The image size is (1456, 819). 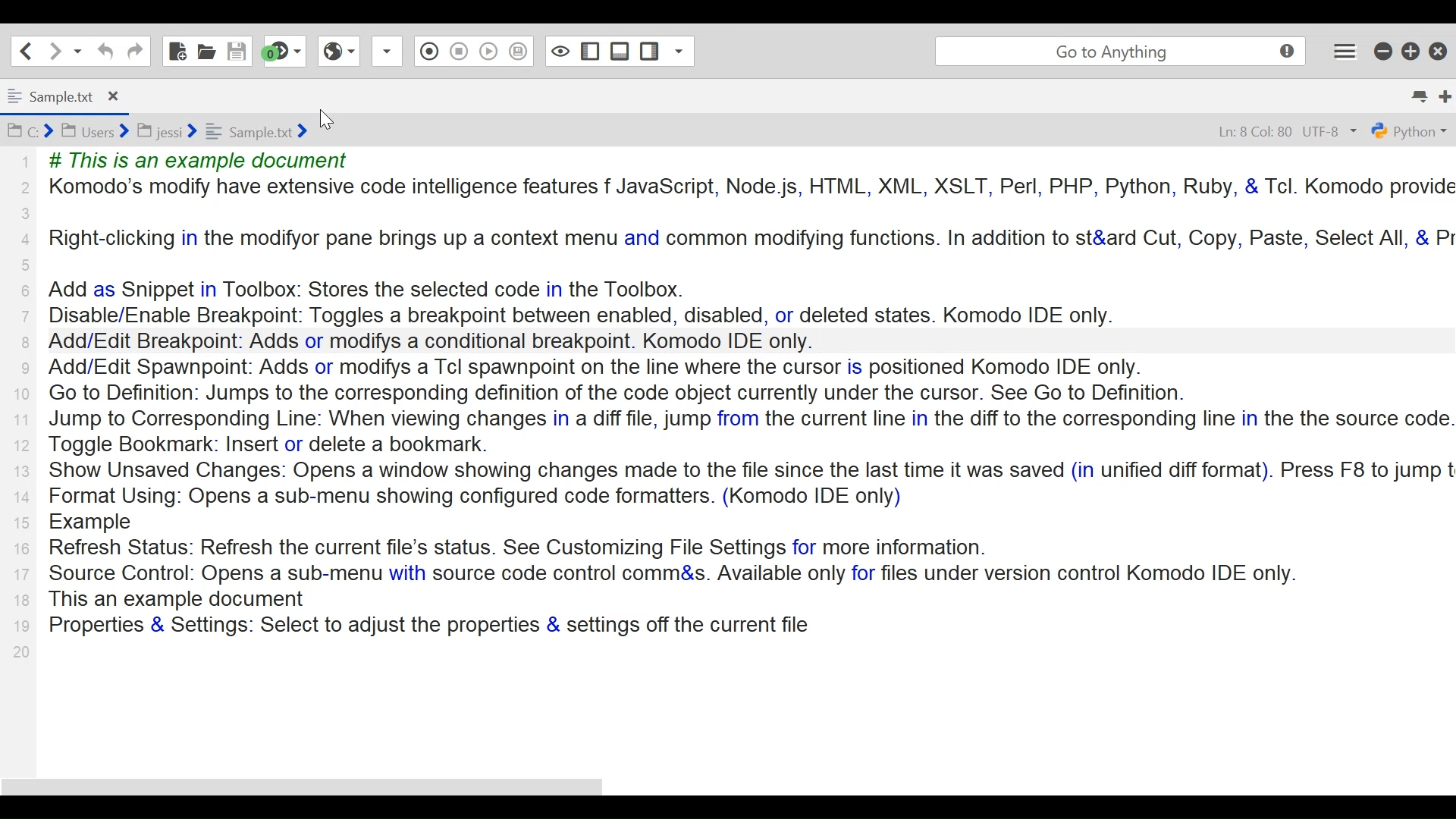 What do you see at coordinates (325, 120) in the screenshot?
I see `Cursor` at bounding box center [325, 120].